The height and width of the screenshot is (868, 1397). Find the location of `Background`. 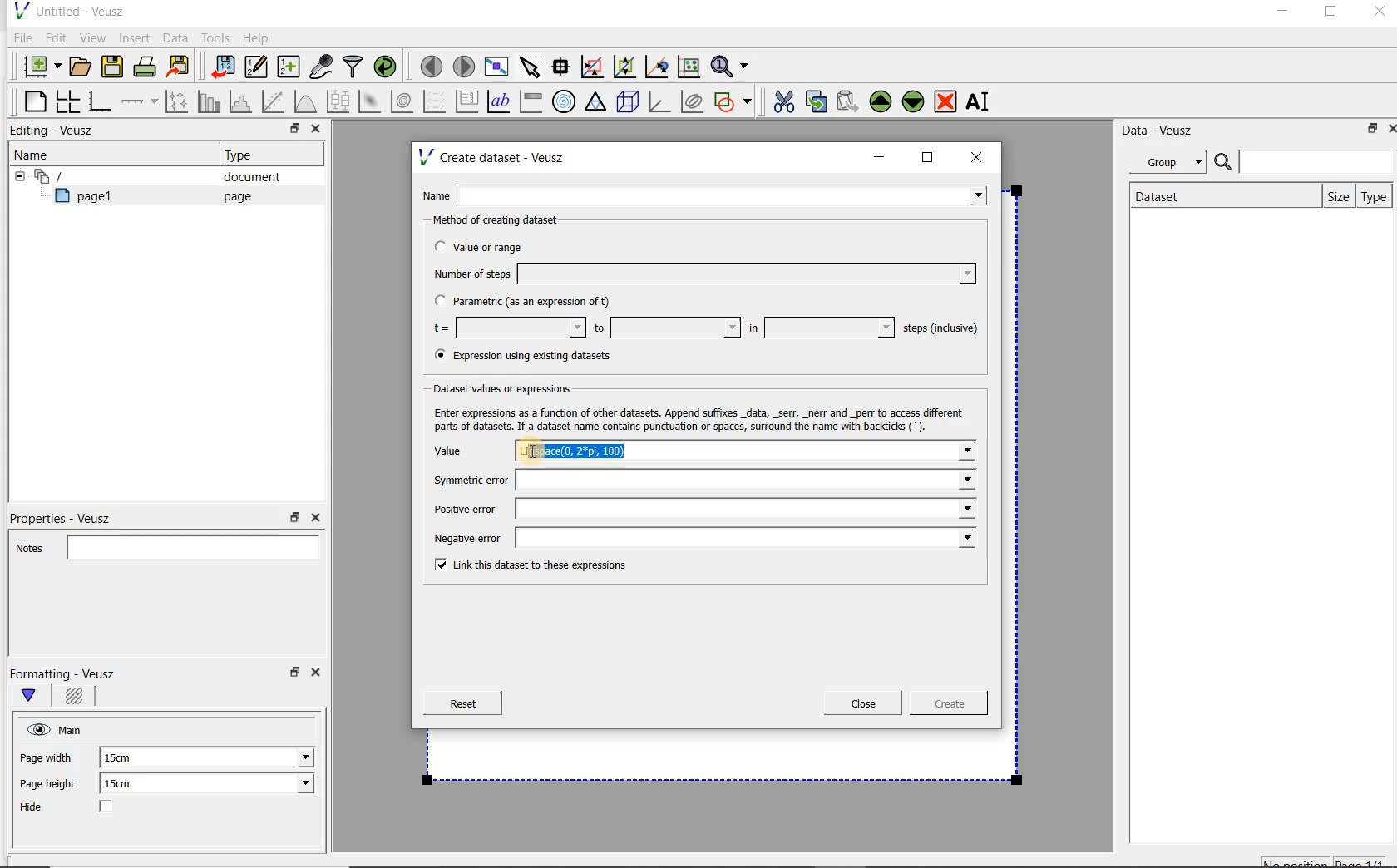

Background is located at coordinates (77, 698).